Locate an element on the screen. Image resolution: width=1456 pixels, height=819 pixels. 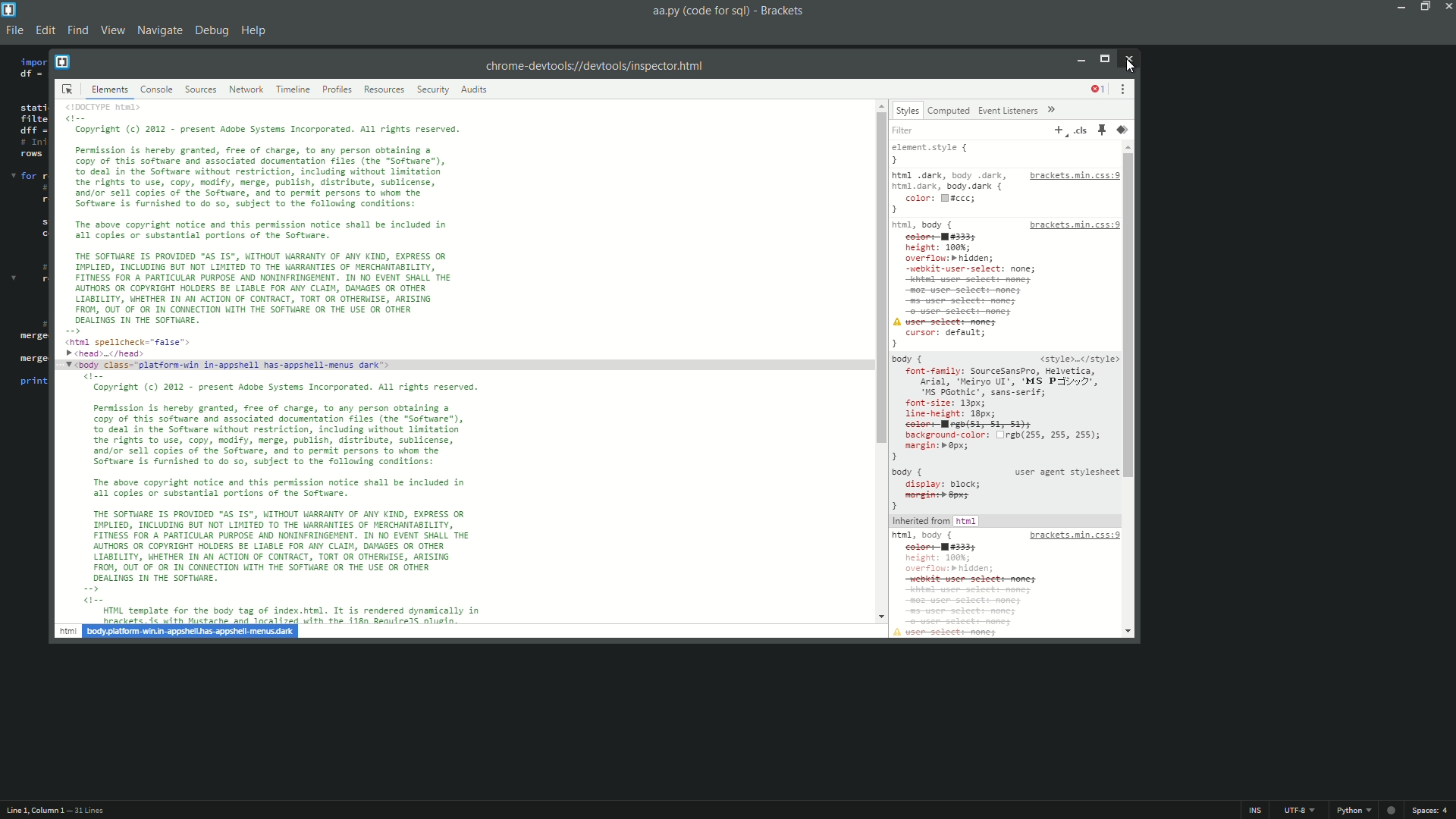
event listners is located at coordinates (1008, 111).